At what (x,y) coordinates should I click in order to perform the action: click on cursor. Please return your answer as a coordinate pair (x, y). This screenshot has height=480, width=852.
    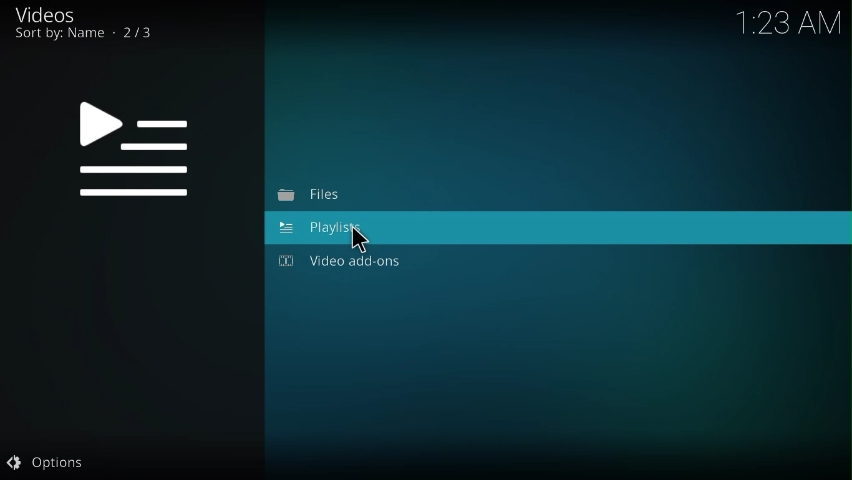
    Looking at the image, I should click on (358, 240).